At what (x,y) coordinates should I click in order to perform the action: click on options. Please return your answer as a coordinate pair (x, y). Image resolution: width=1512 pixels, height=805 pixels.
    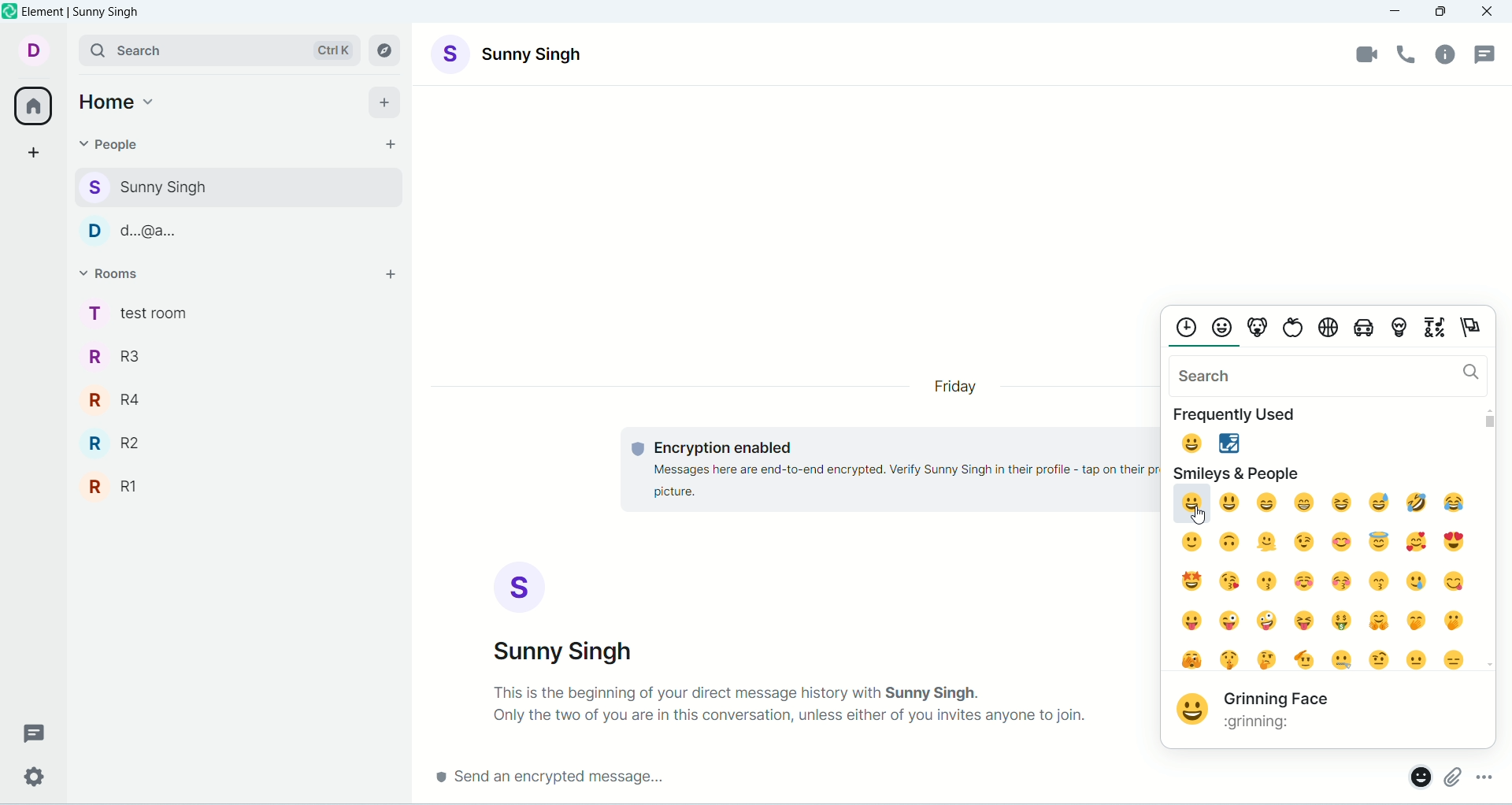
    Looking at the image, I should click on (1489, 774).